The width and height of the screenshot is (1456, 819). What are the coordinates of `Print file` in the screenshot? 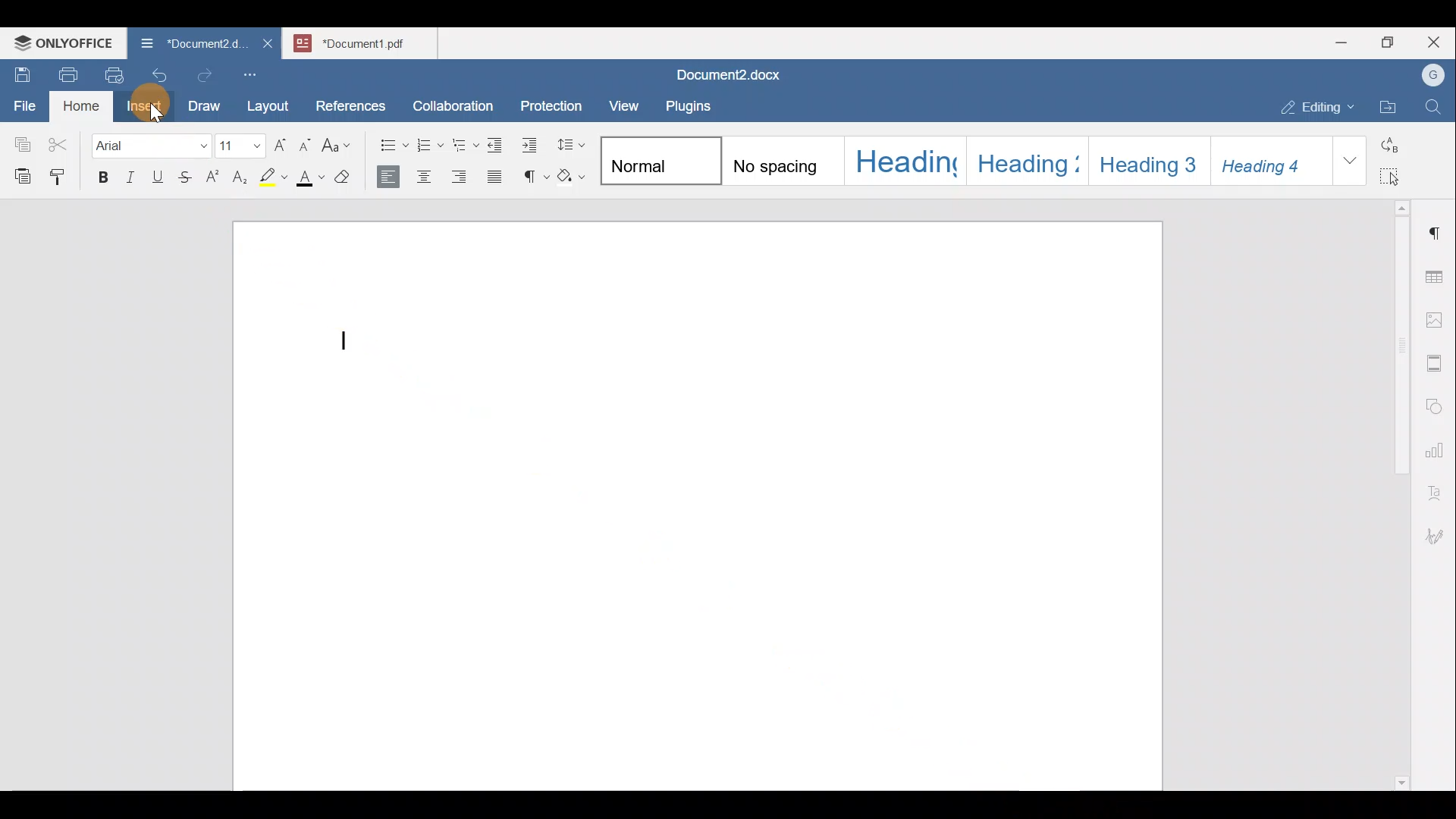 It's located at (65, 72).